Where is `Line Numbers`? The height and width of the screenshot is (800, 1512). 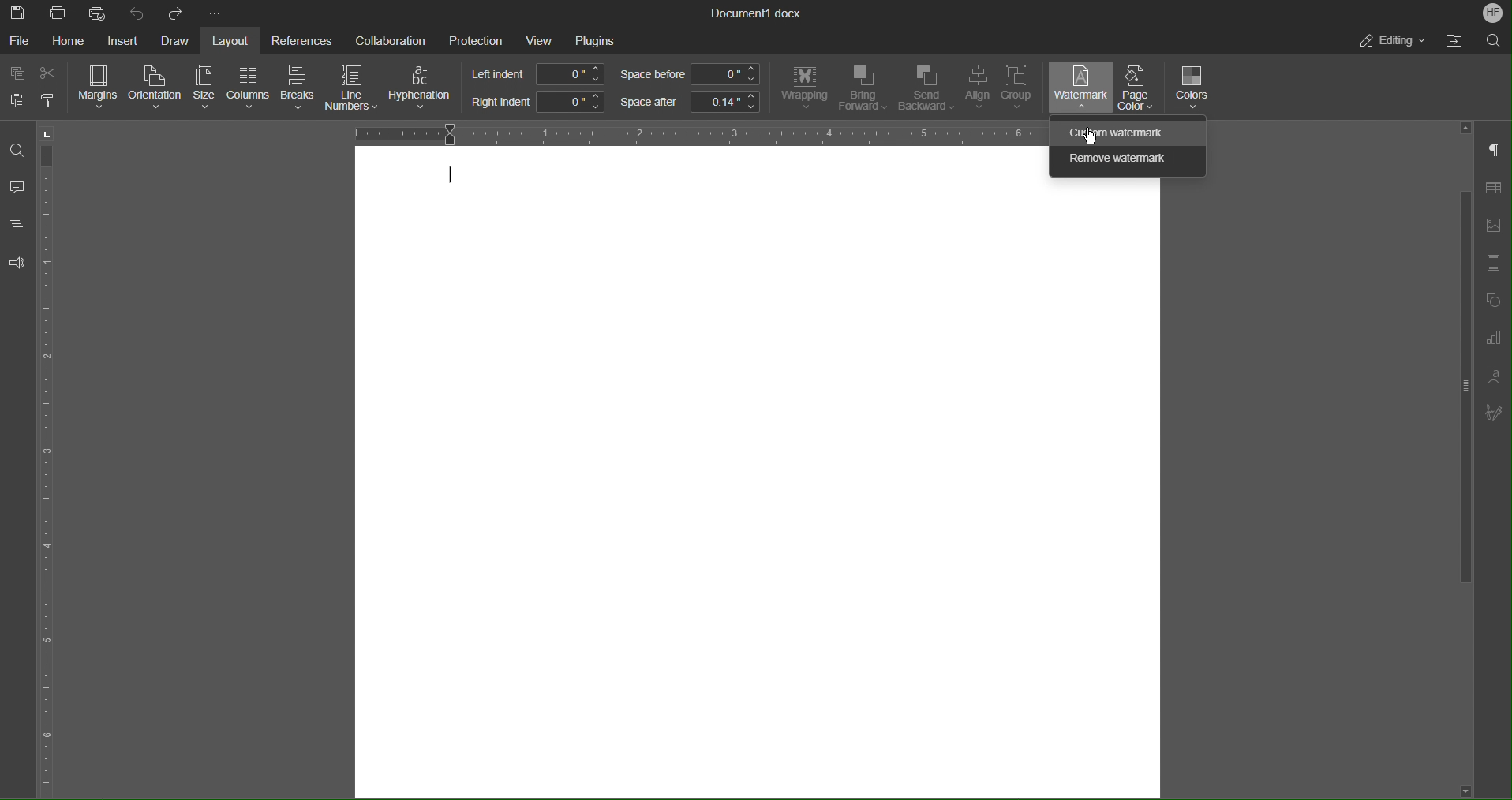 Line Numbers is located at coordinates (353, 90).